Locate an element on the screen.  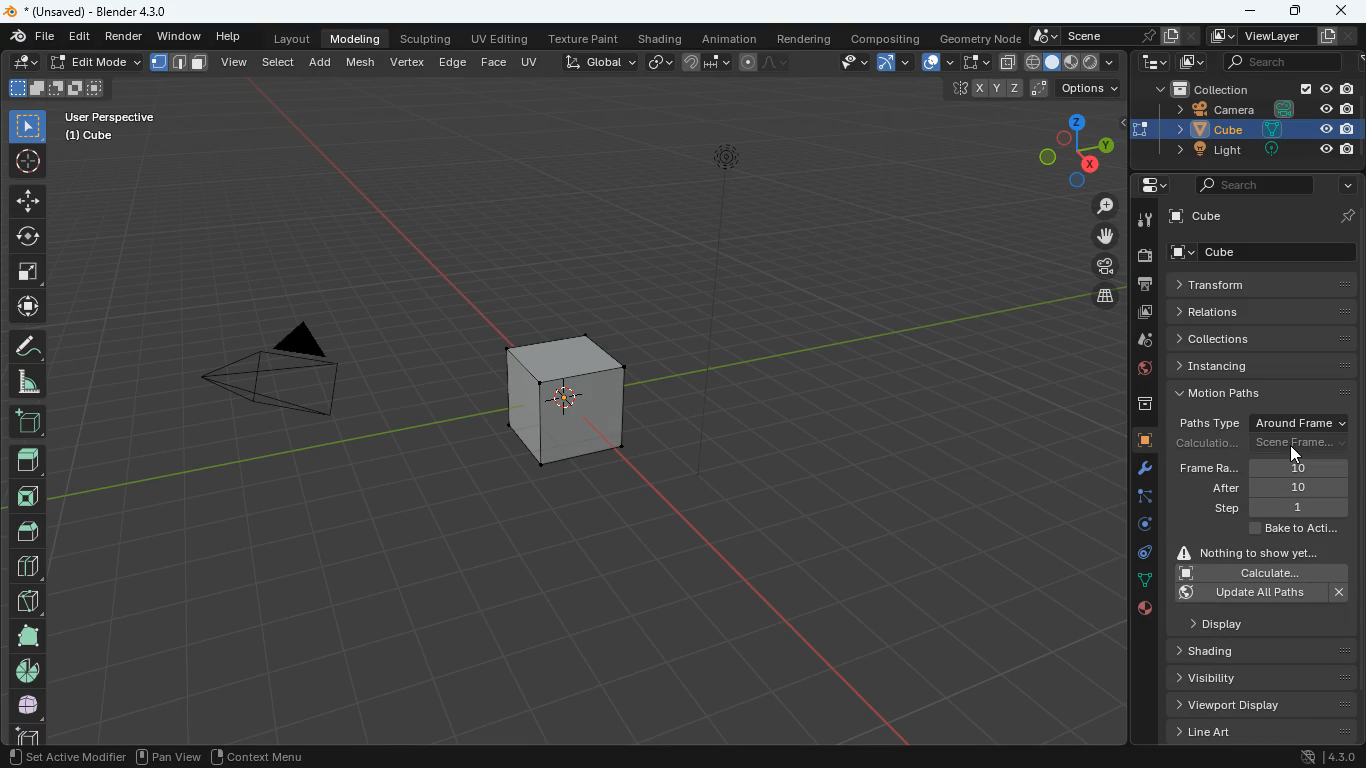
angle is located at coordinates (31, 381).